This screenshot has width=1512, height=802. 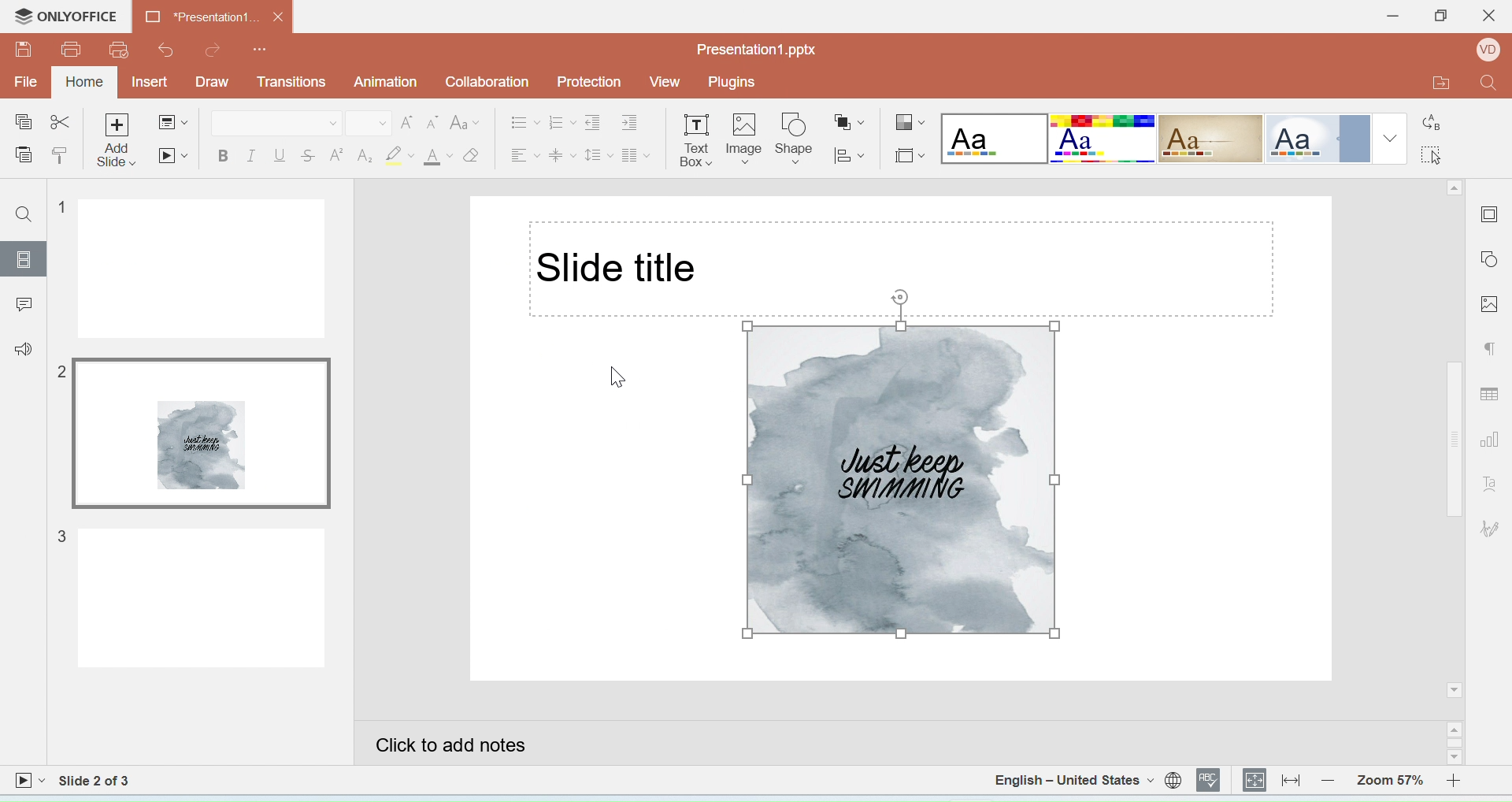 I want to click on Increase indent, so click(x=637, y=120).